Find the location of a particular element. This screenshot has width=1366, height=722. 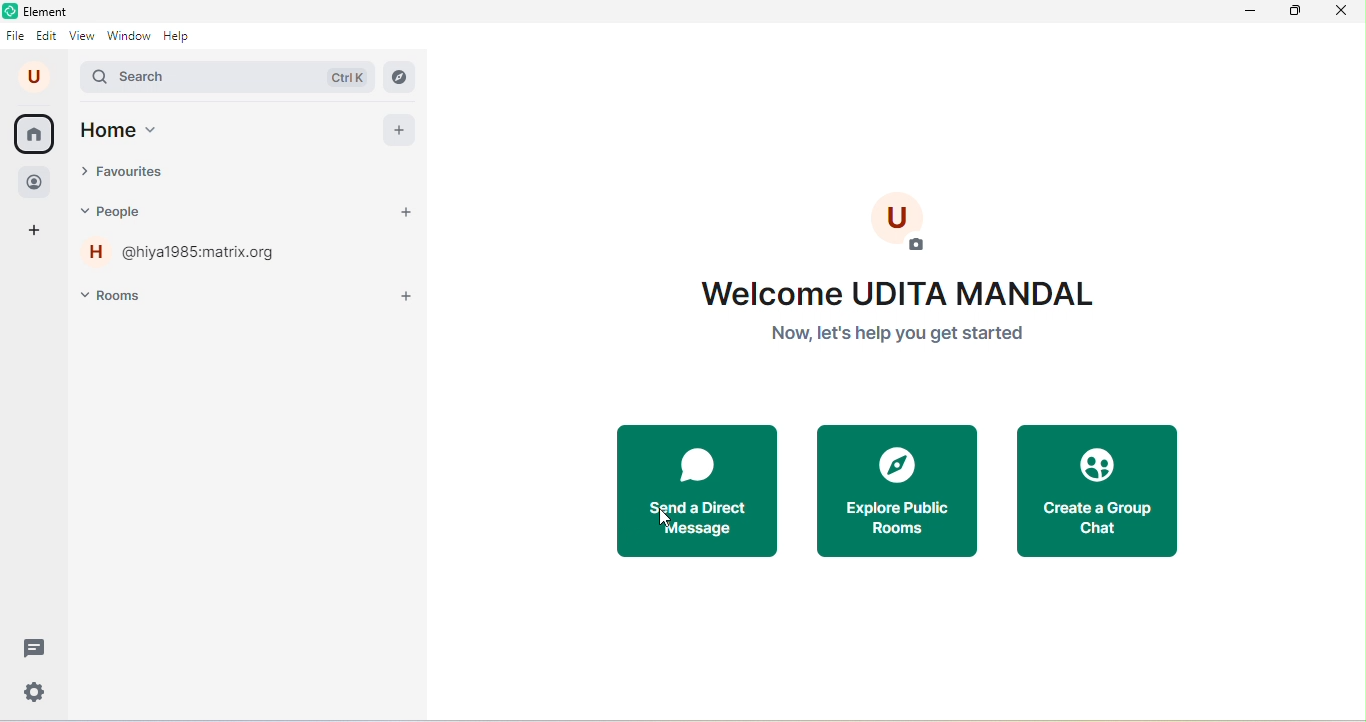

Now, let's help you get started is located at coordinates (897, 333).